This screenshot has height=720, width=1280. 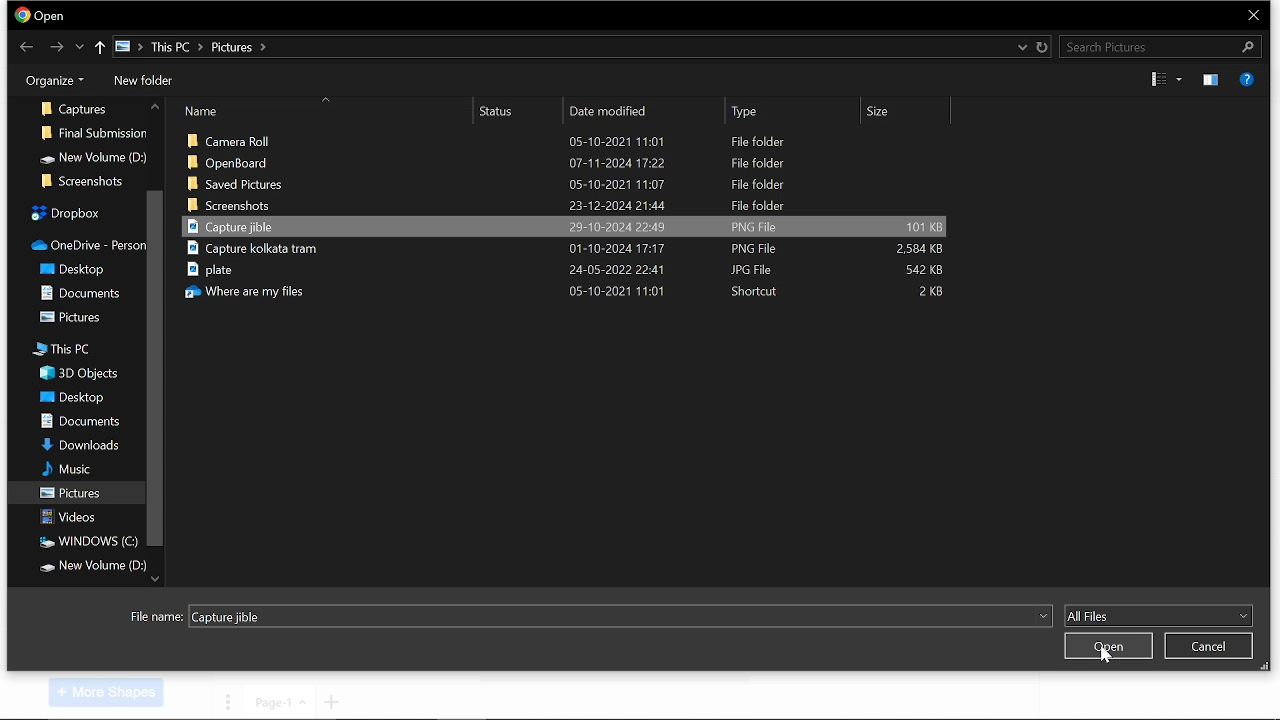 What do you see at coordinates (93, 565) in the screenshot?
I see `folders` at bounding box center [93, 565].